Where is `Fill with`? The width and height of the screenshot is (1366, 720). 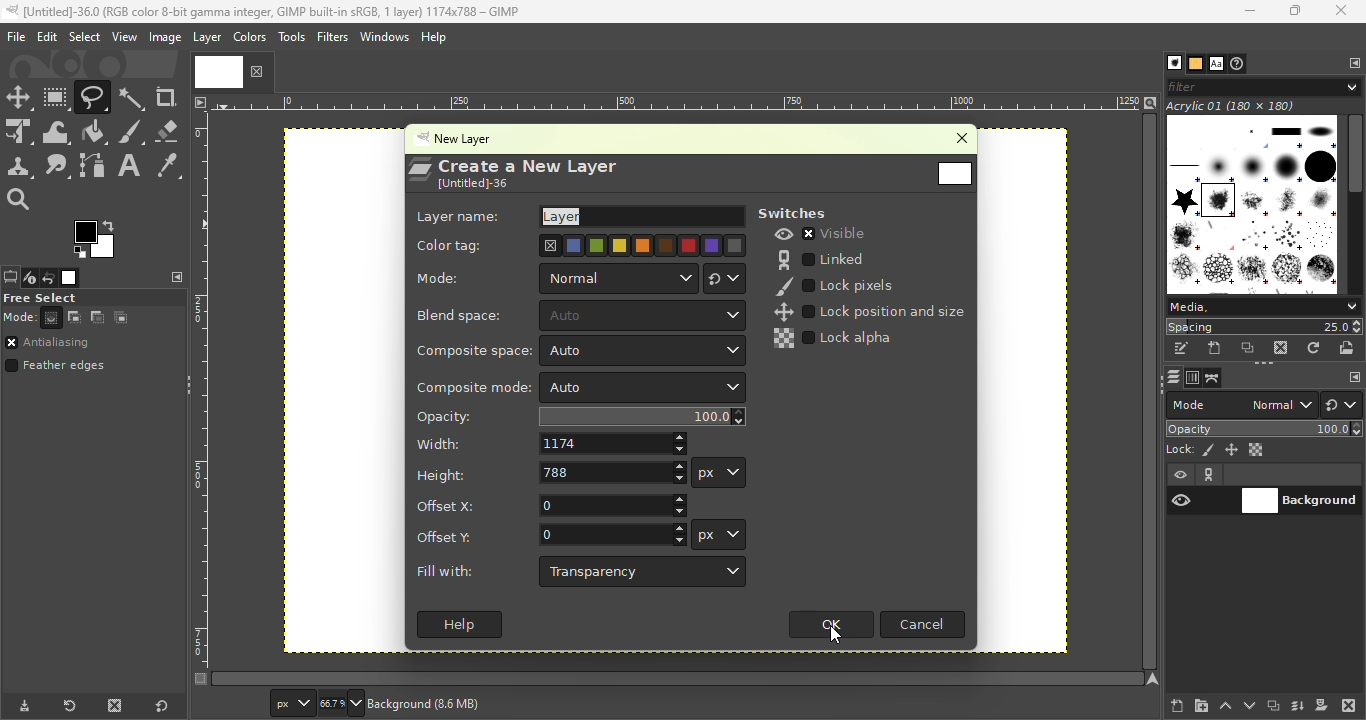
Fill with is located at coordinates (583, 572).